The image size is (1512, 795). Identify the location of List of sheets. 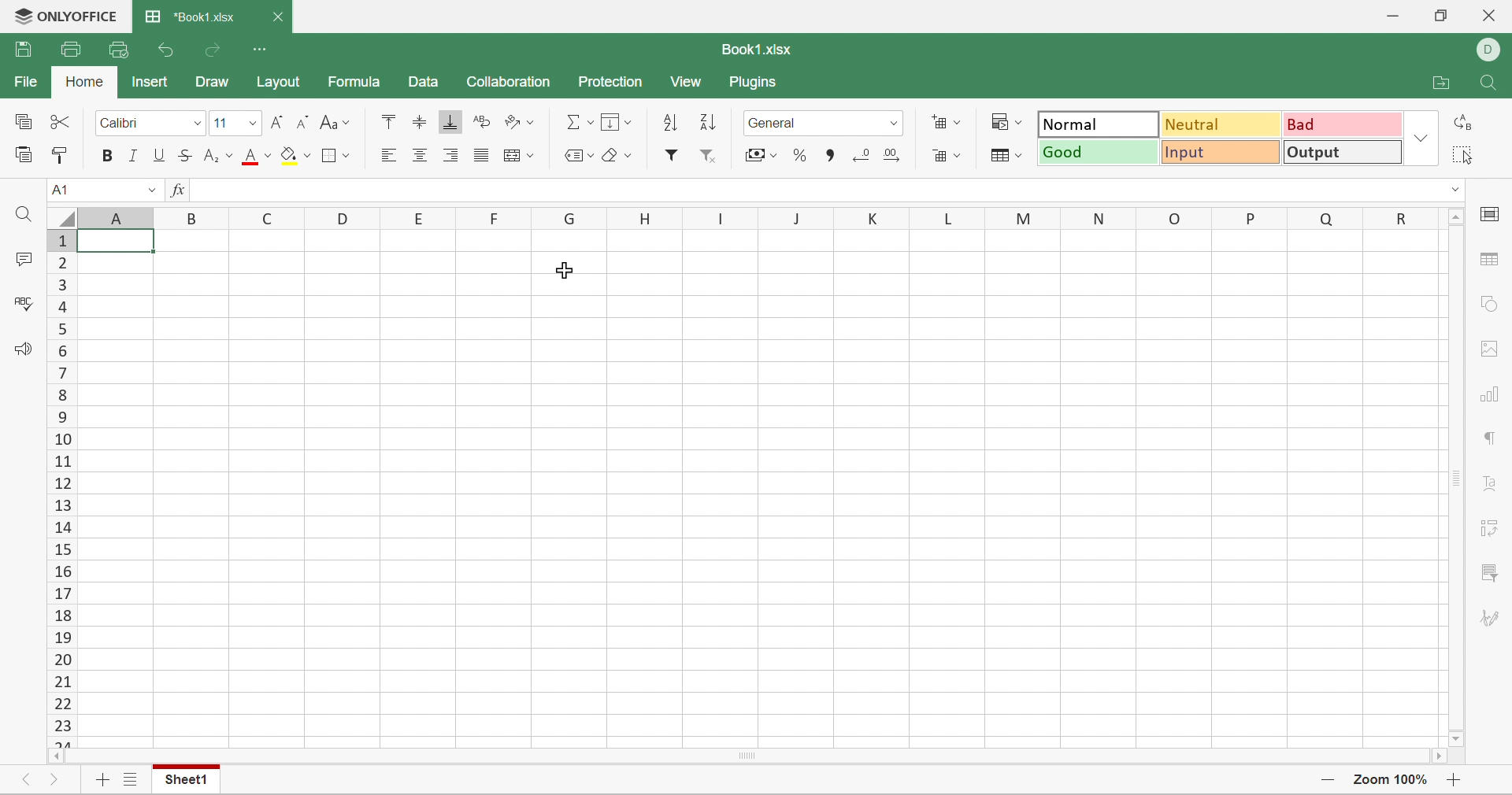
(133, 781).